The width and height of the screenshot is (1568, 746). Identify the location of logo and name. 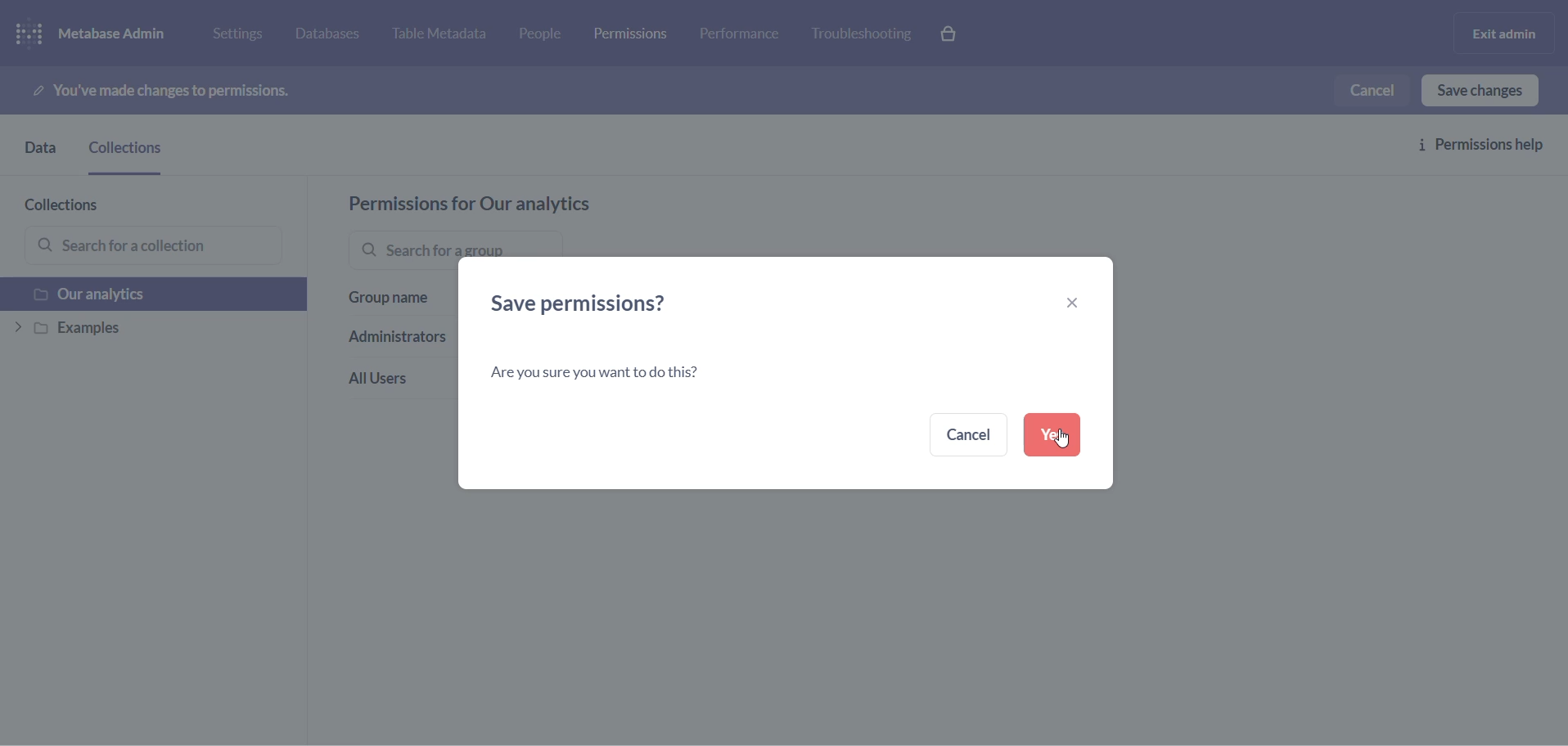
(105, 34).